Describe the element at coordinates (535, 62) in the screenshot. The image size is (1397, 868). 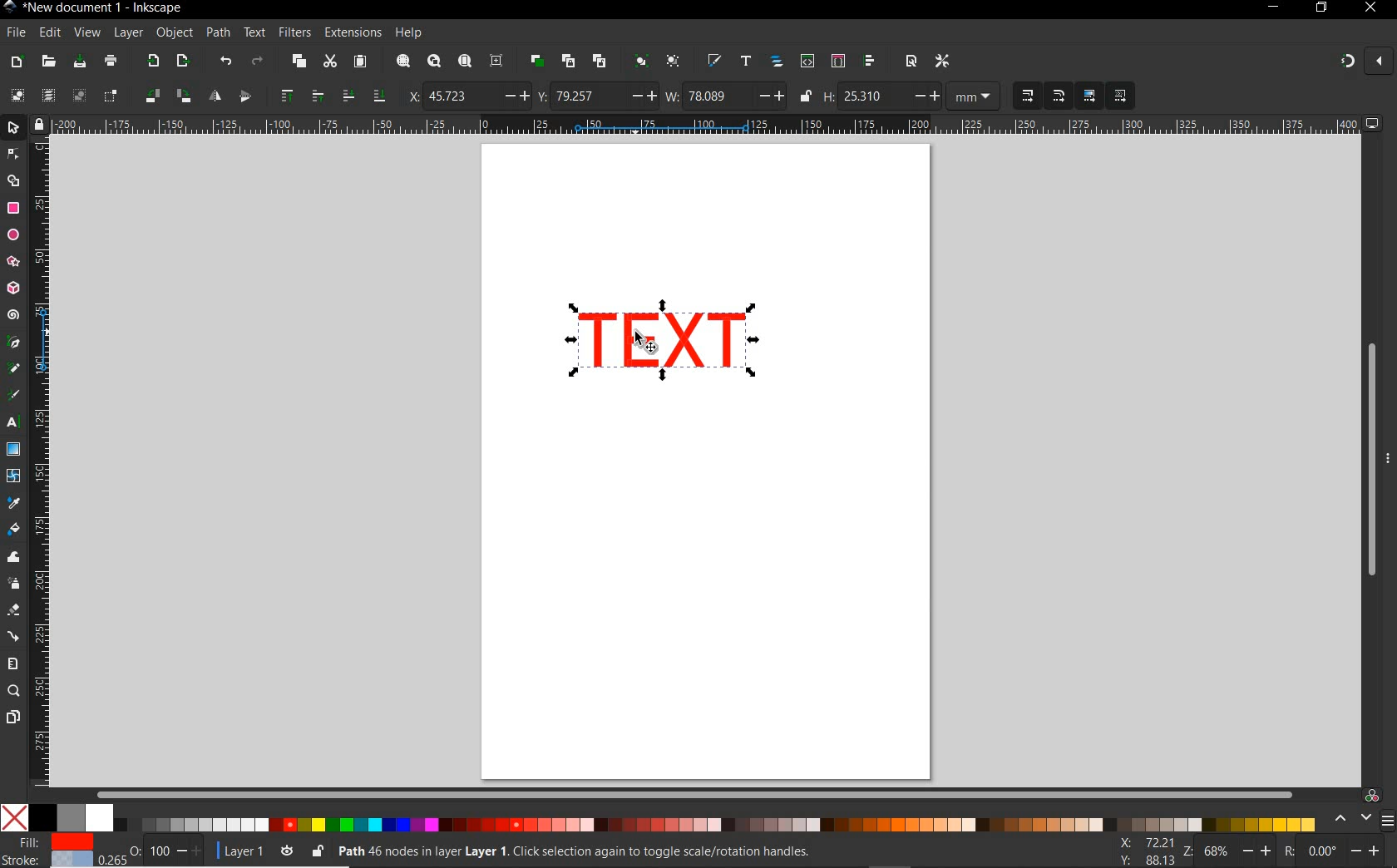
I see `DUPLICATE` at that location.